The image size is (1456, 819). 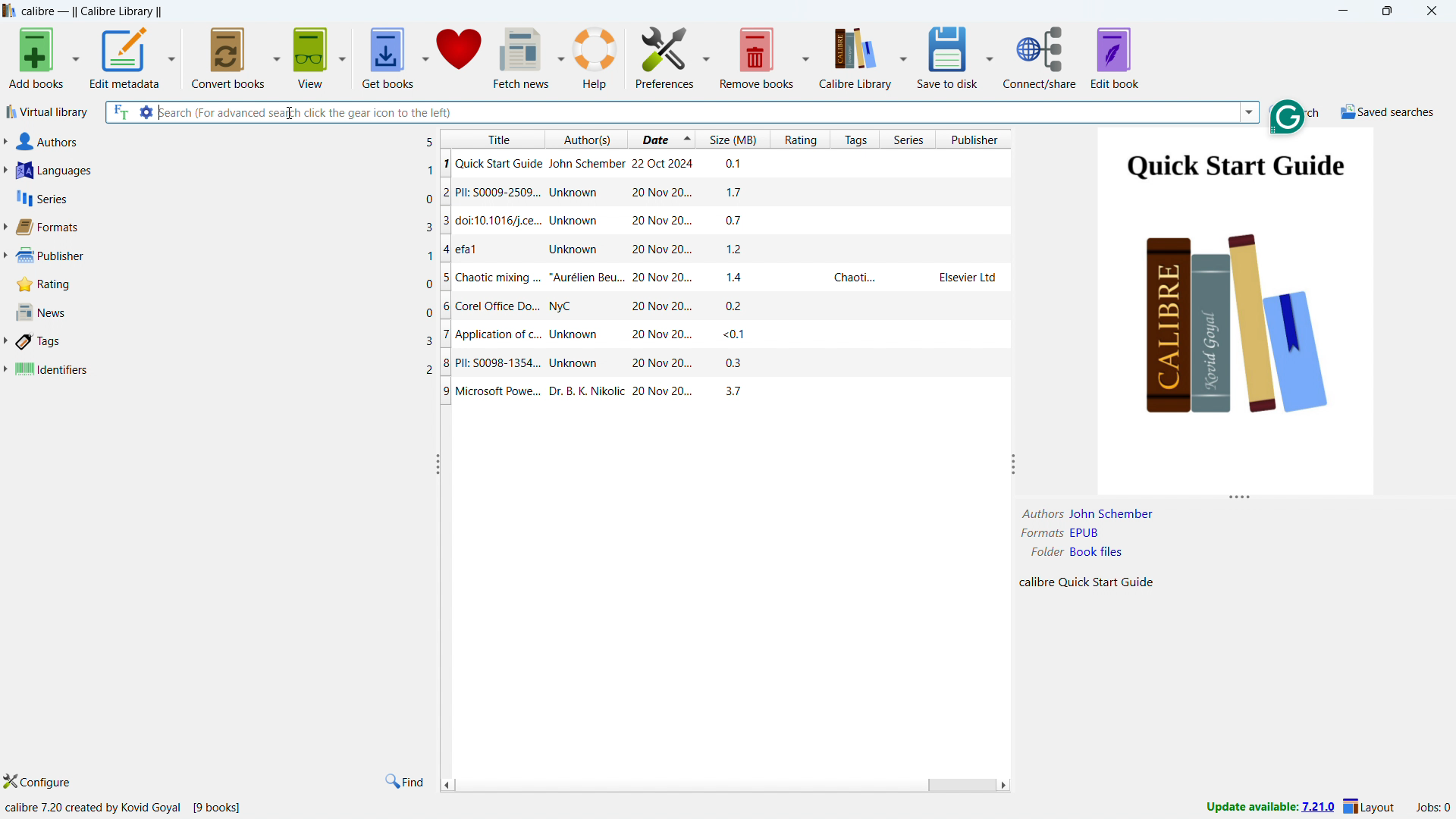 What do you see at coordinates (224, 342) in the screenshot?
I see `tags` at bounding box center [224, 342].